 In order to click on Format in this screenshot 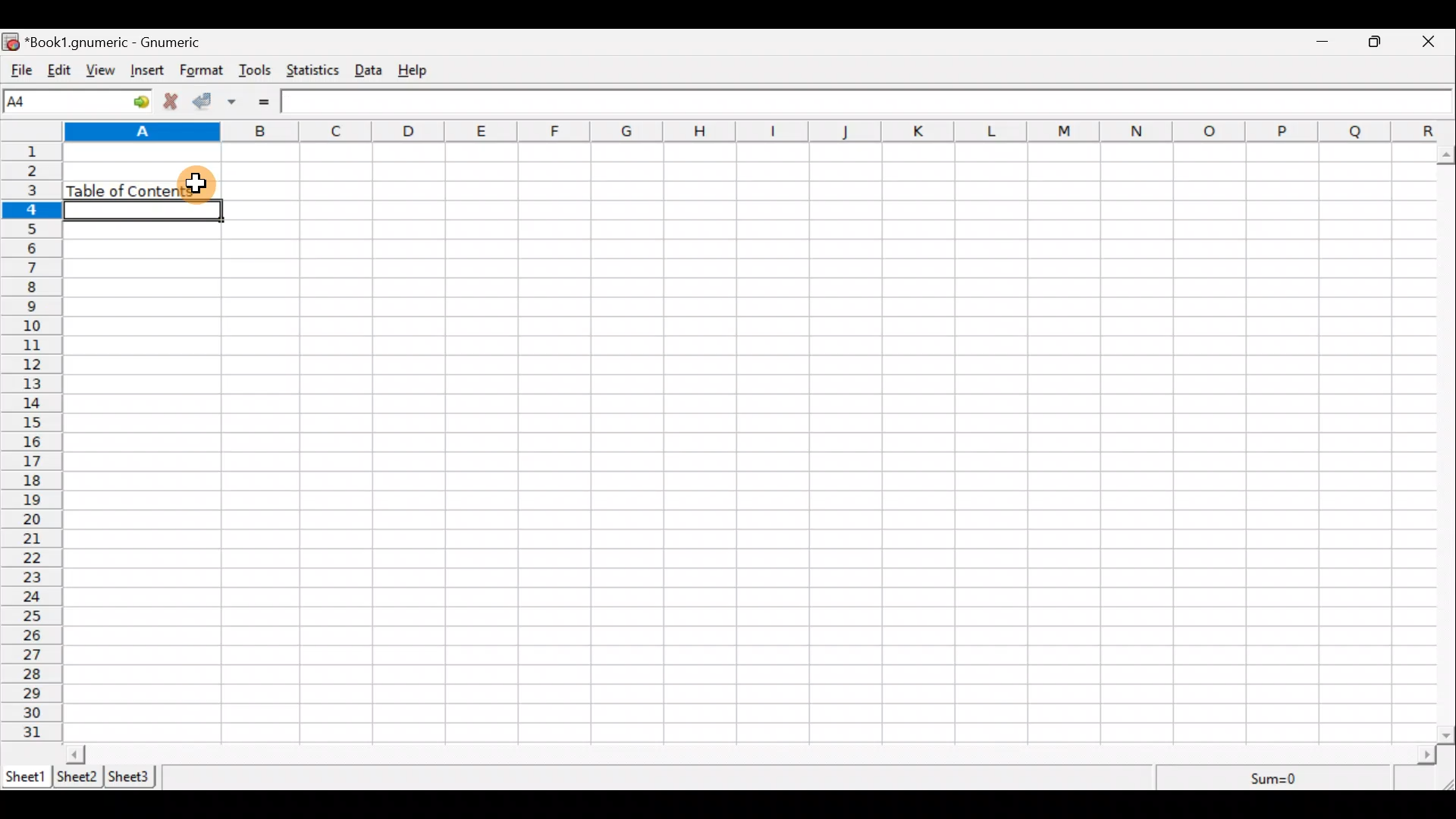, I will do `click(202, 71)`.